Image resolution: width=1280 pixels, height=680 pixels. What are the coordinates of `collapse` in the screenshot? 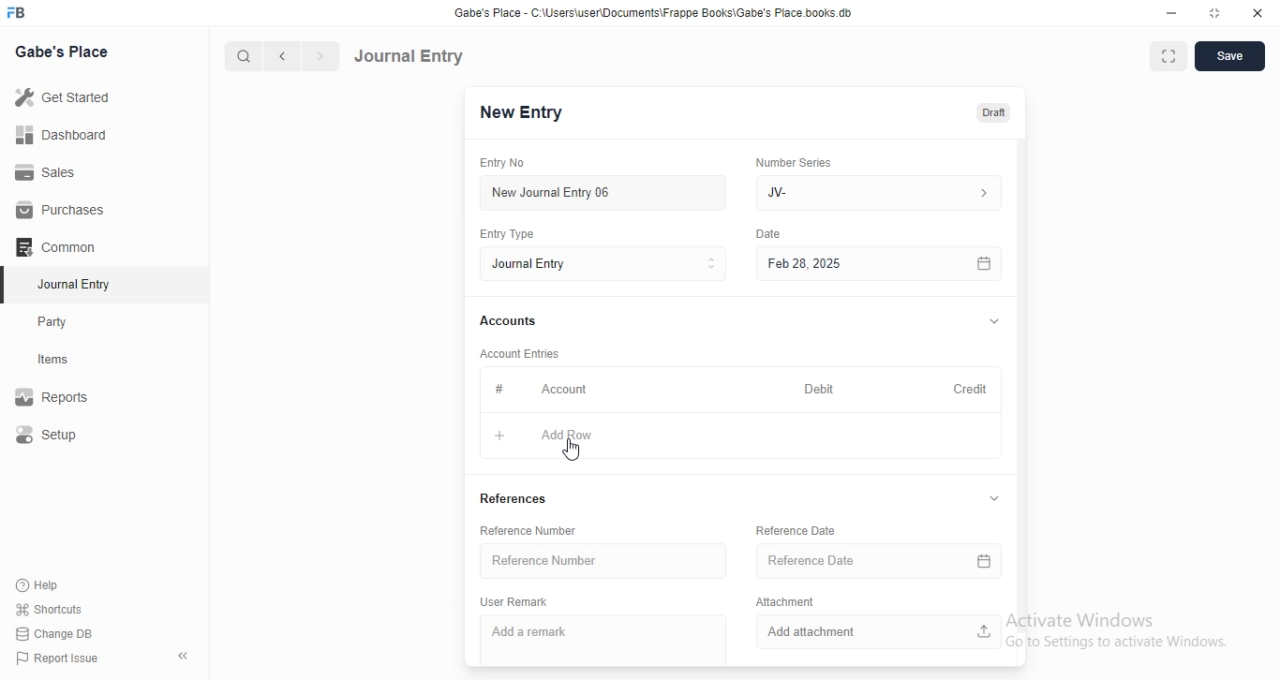 It's located at (995, 498).